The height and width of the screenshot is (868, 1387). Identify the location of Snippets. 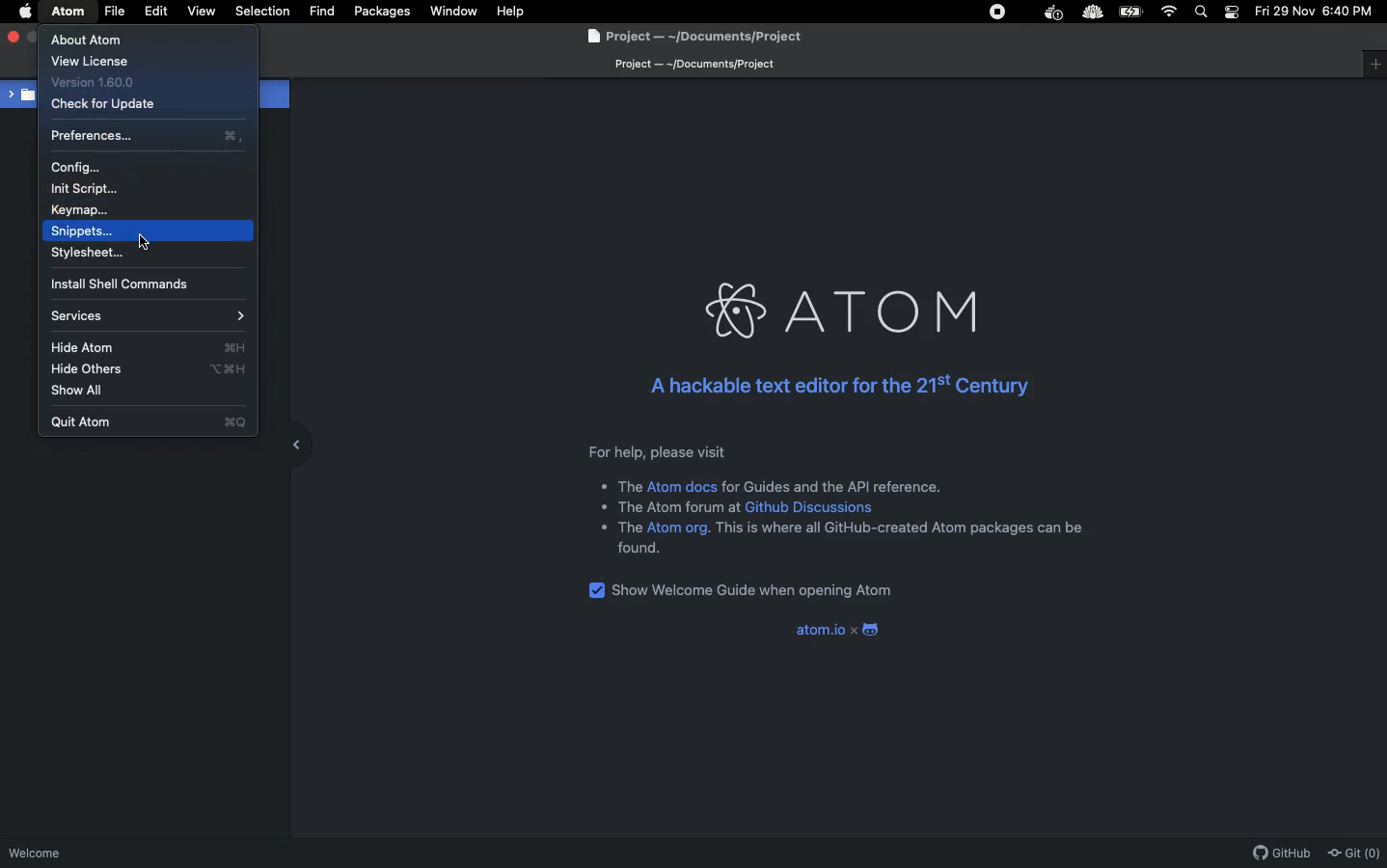
(84, 231).